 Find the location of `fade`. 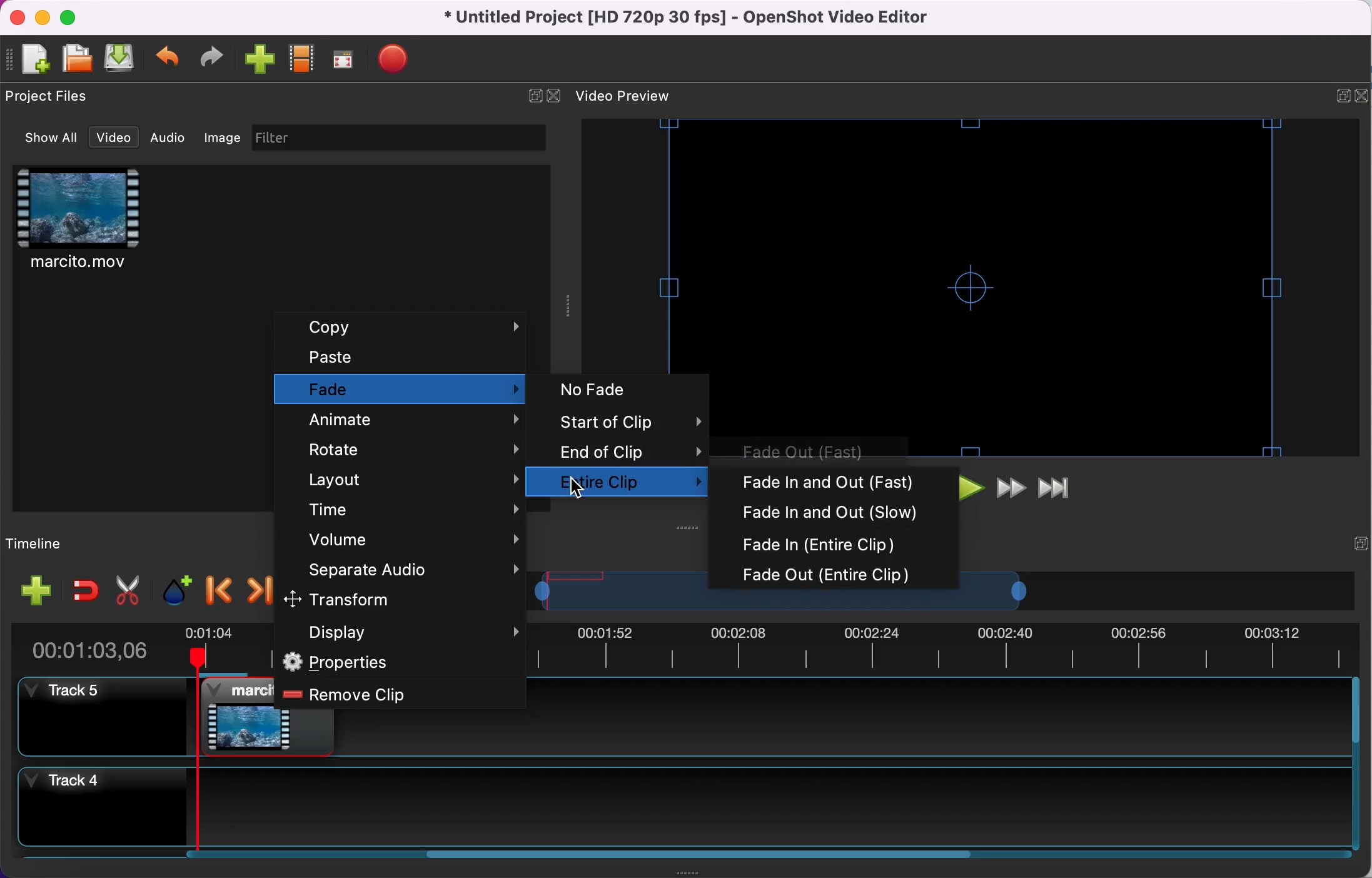

fade is located at coordinates (401, 391).